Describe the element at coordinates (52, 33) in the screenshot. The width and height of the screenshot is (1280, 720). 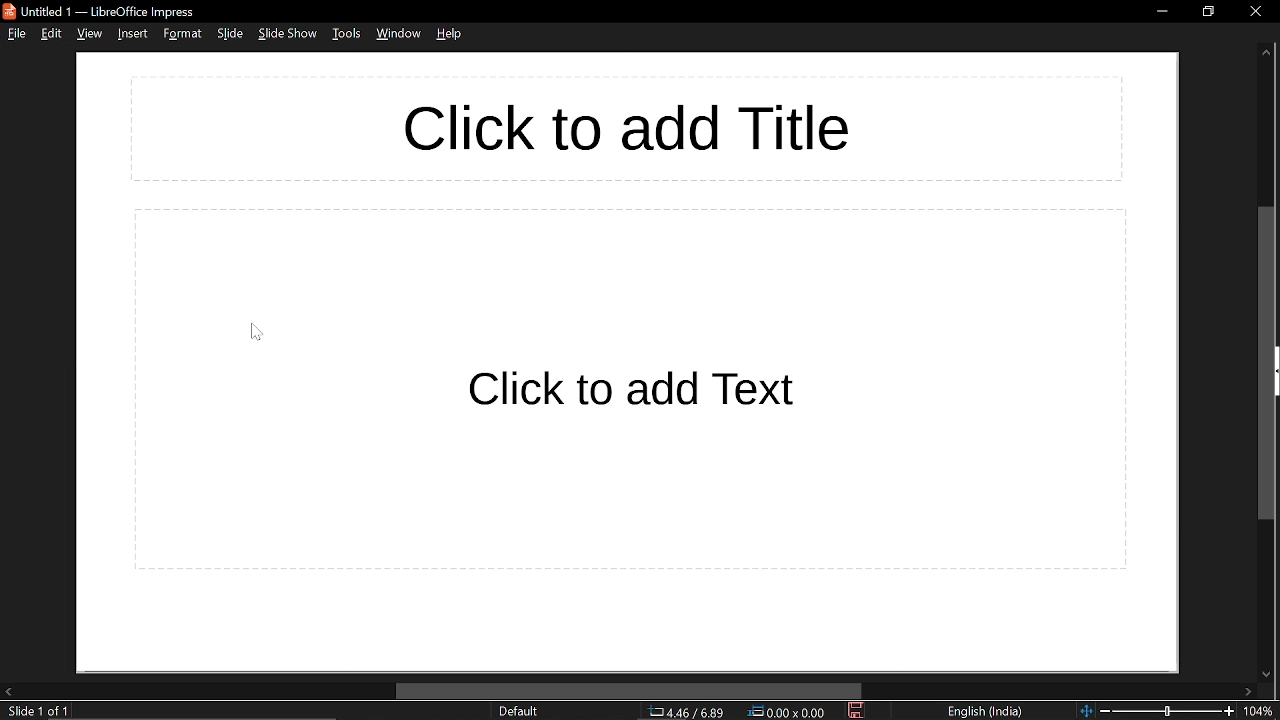
I see `edit` at that location.